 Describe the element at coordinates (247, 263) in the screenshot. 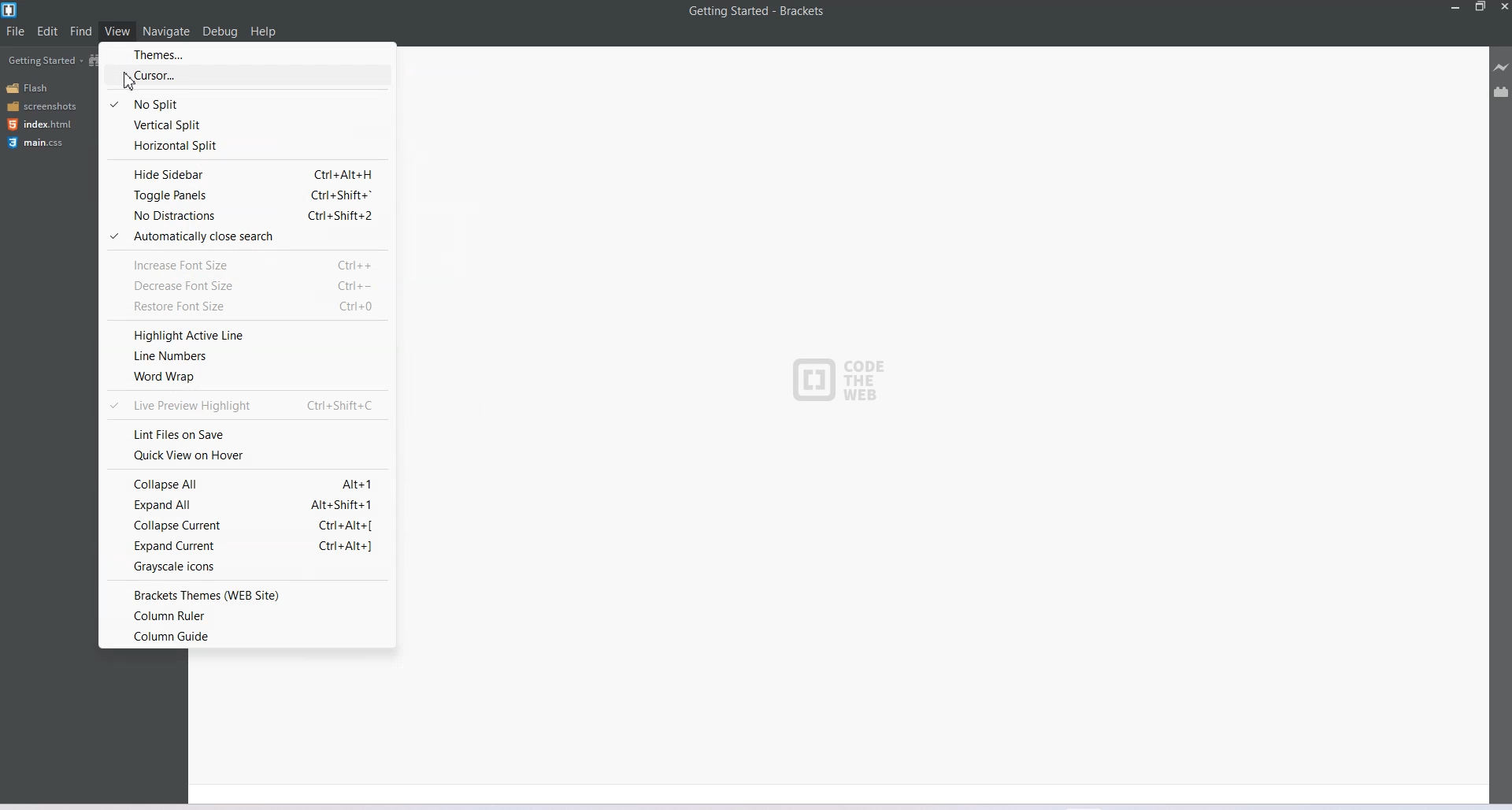

I see `increase font size` at that location.